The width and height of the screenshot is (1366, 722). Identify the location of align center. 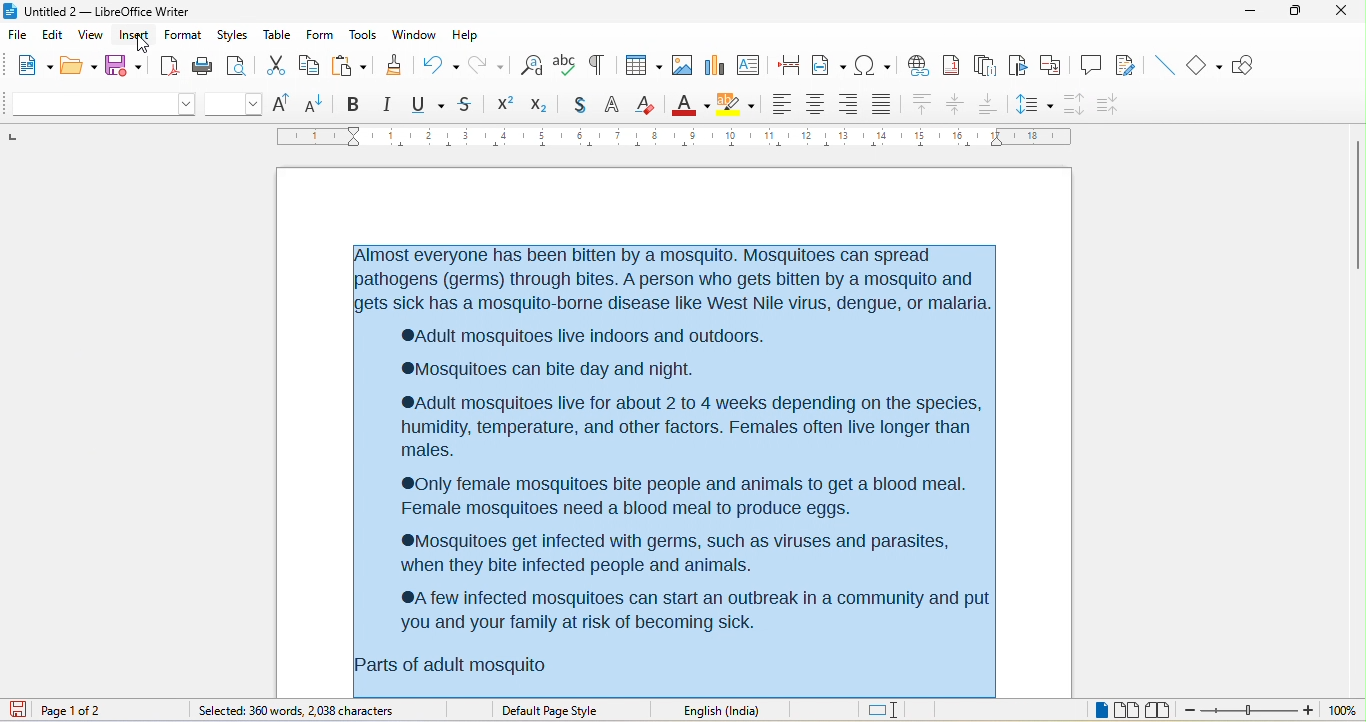
(815, 105).